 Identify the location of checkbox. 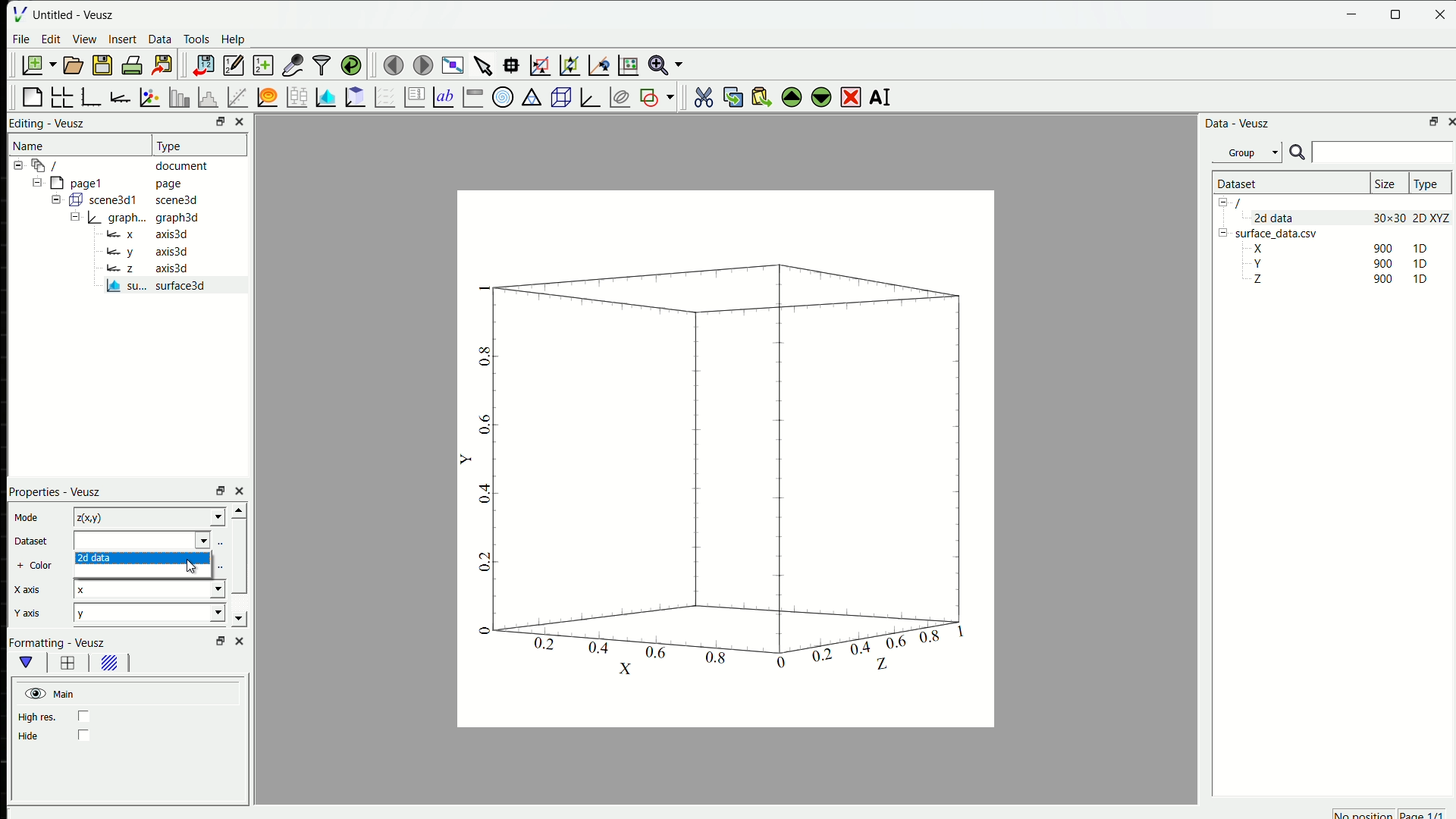
(83, 734).